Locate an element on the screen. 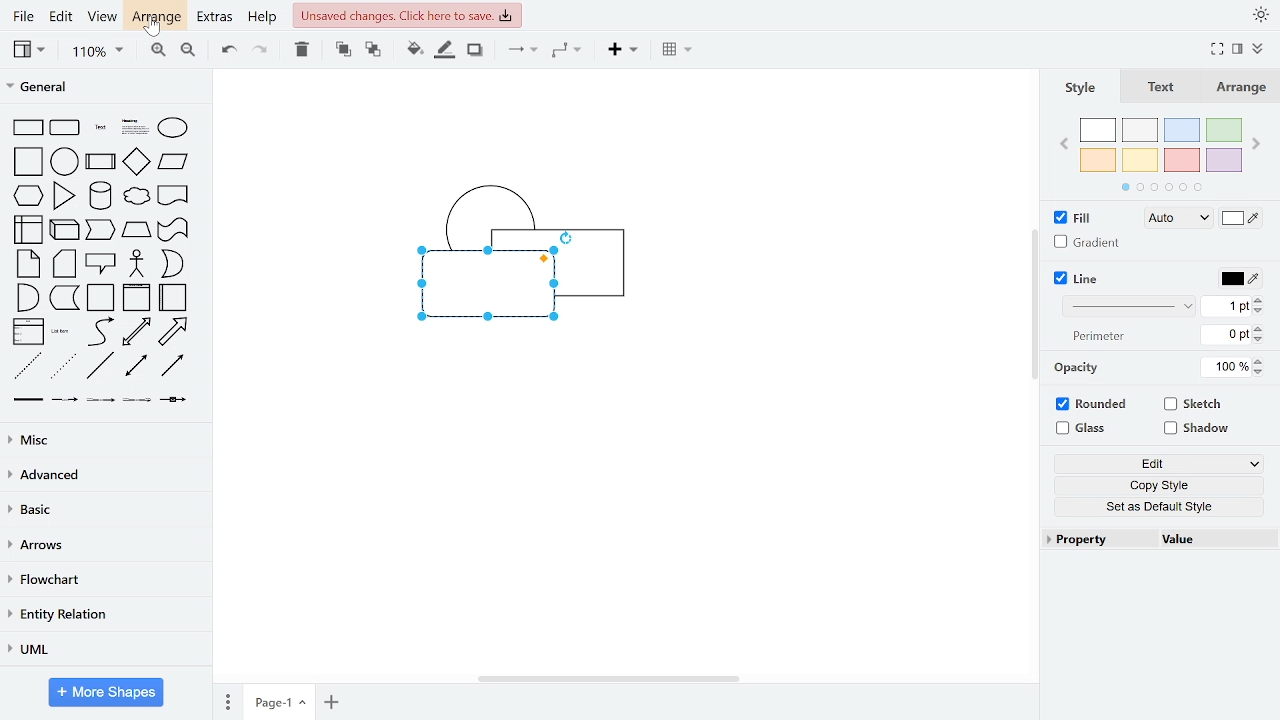 This screenshot has width=1280, height=720. connector with symbol is located at coordinates (174, 401).